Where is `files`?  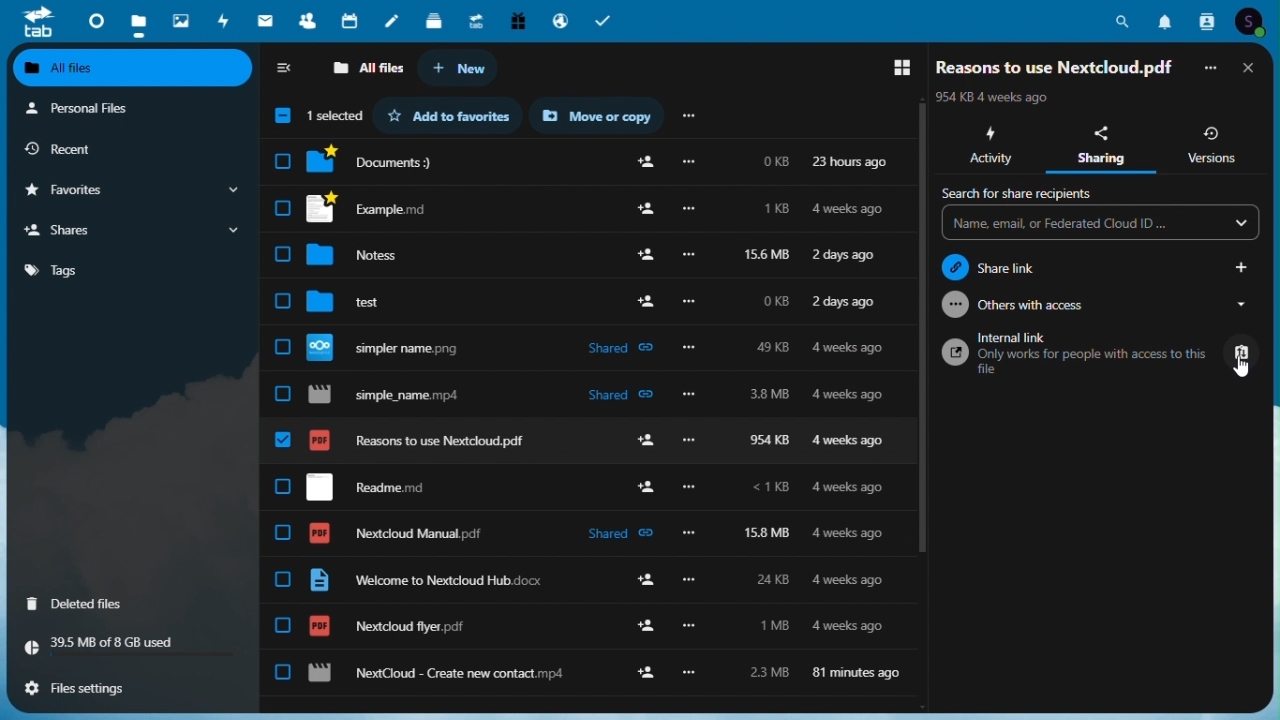 files is located at coordinates (139, 21).